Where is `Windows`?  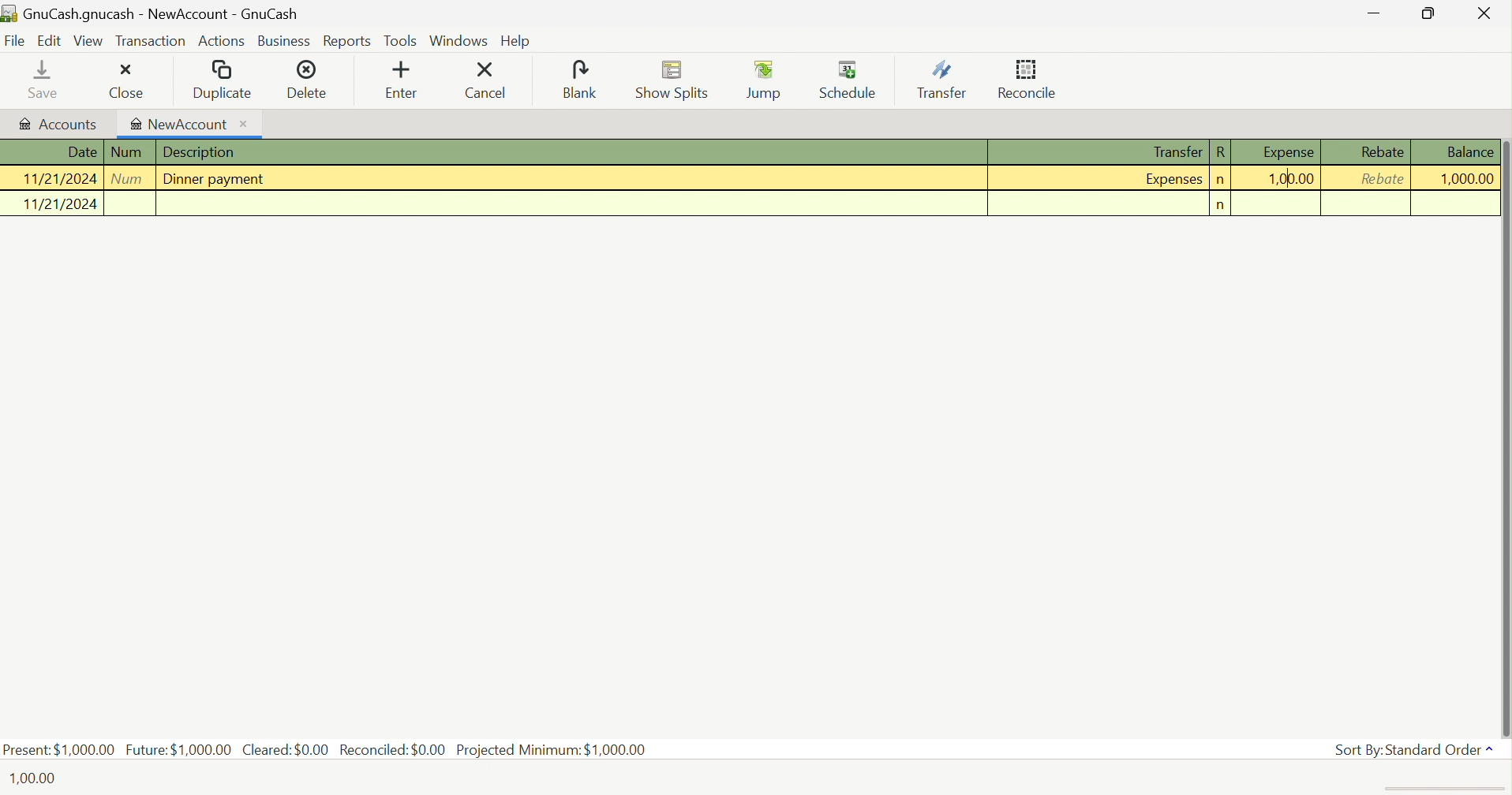 Windows is located at coordinates (458, 39).